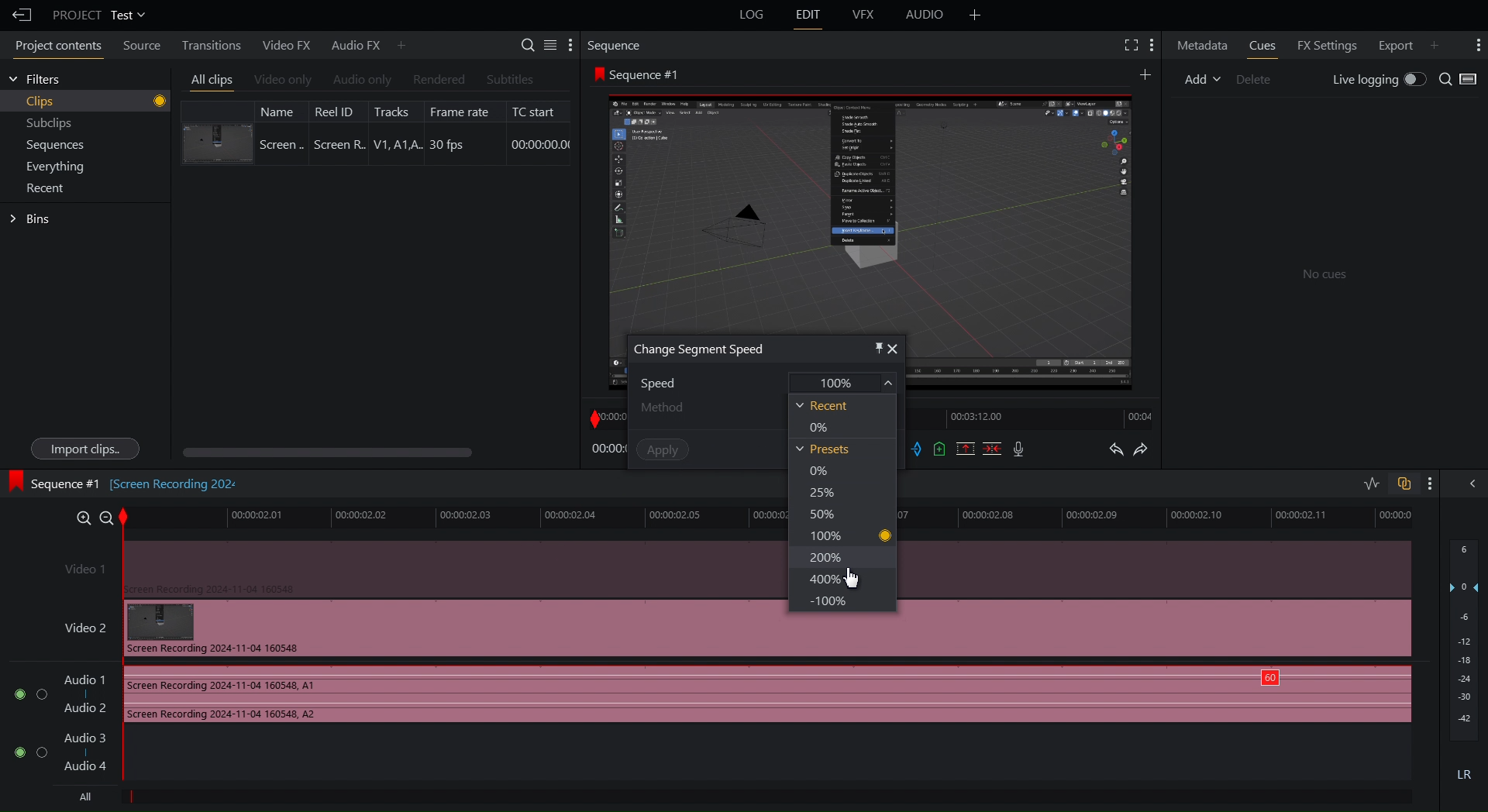 This screenshot has width=1488, height=812. What do you see at coordinates (84, 449) in the screenshot?
I see `Import clips` at bounding box center [84, 449].